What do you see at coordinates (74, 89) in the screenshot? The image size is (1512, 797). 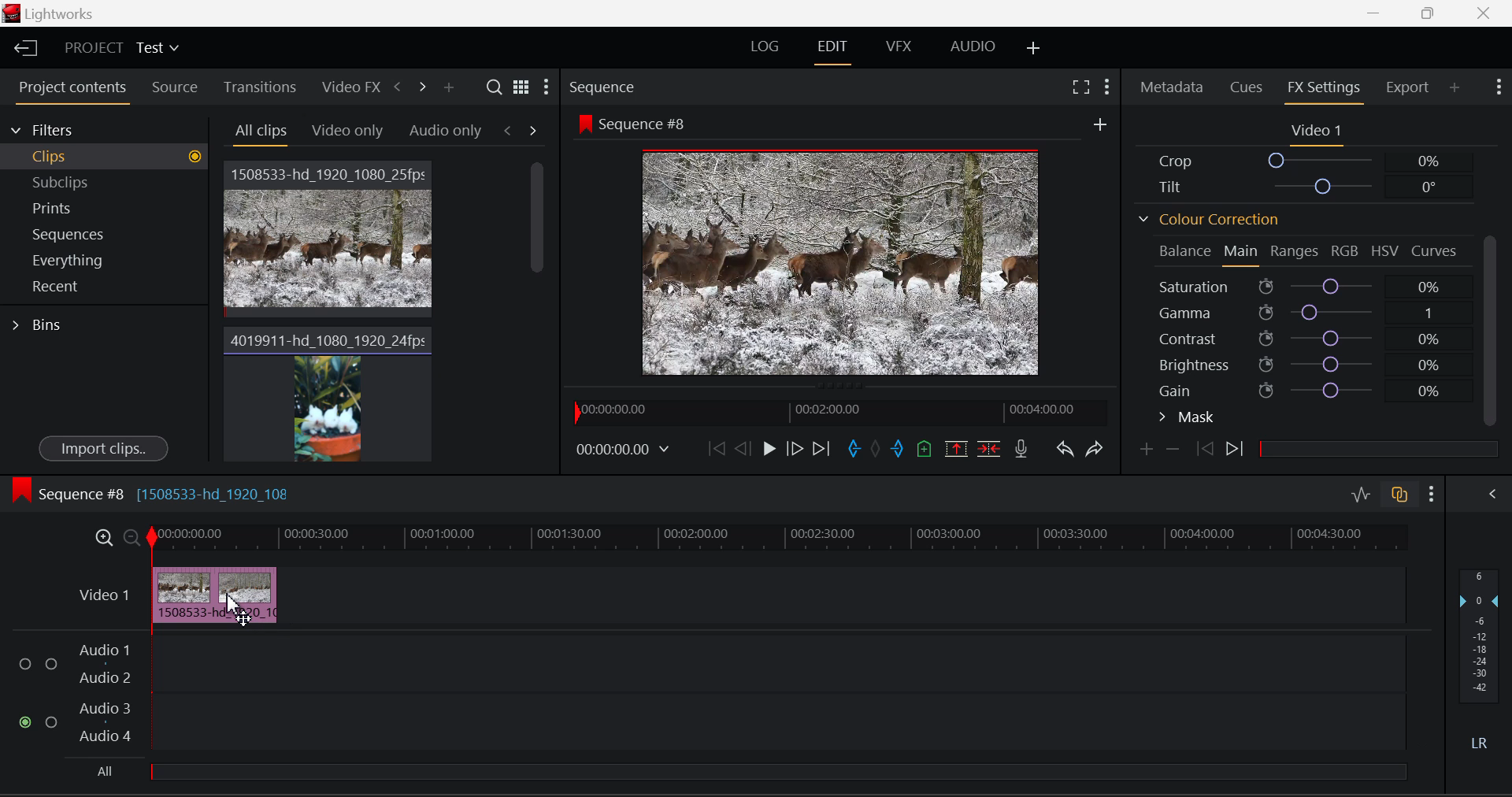 I see `Project Contents Tab` at bounding box center [74, 89].